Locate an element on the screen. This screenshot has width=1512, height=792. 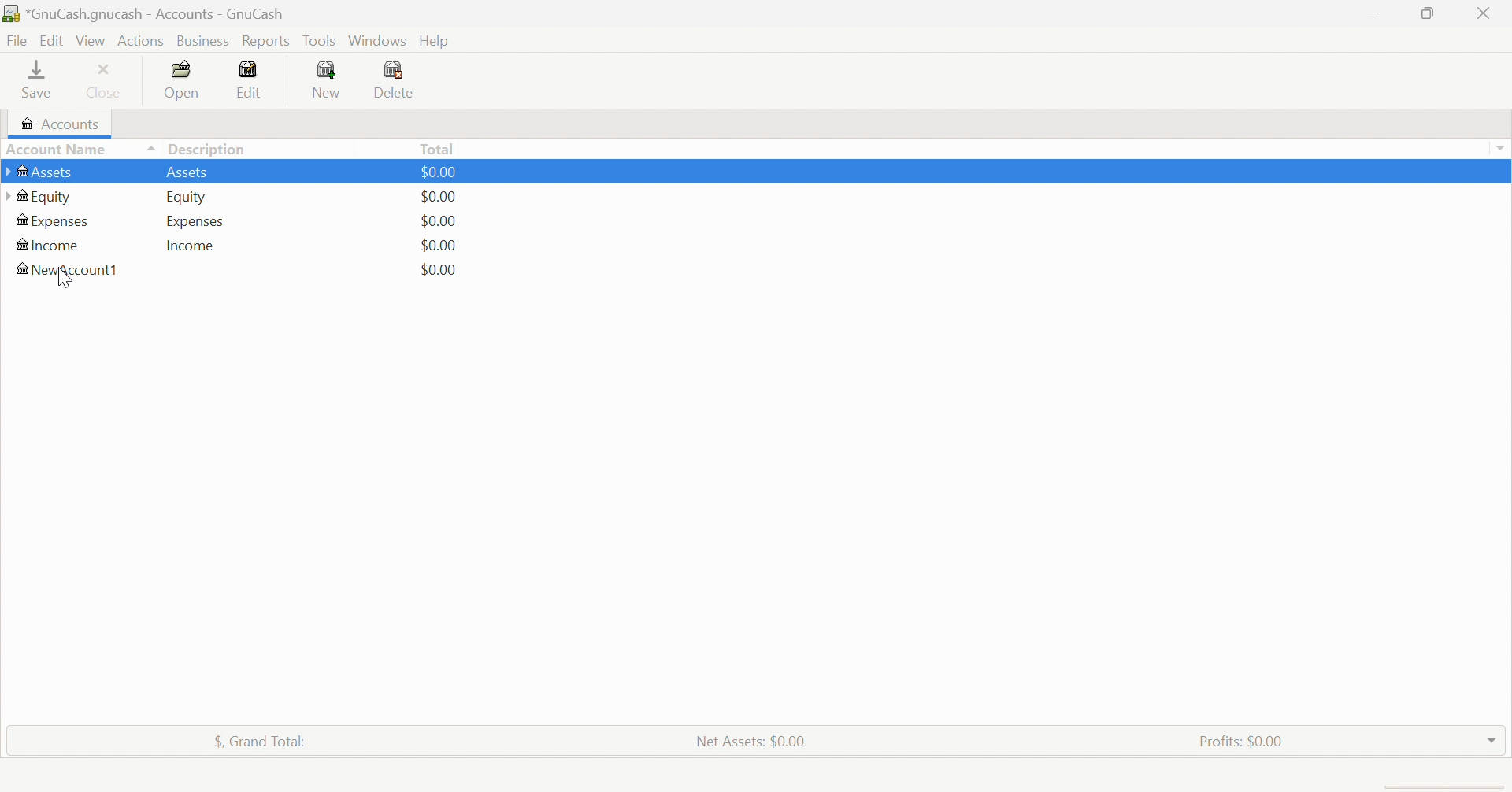
Business is located at coordinates (203, 39).